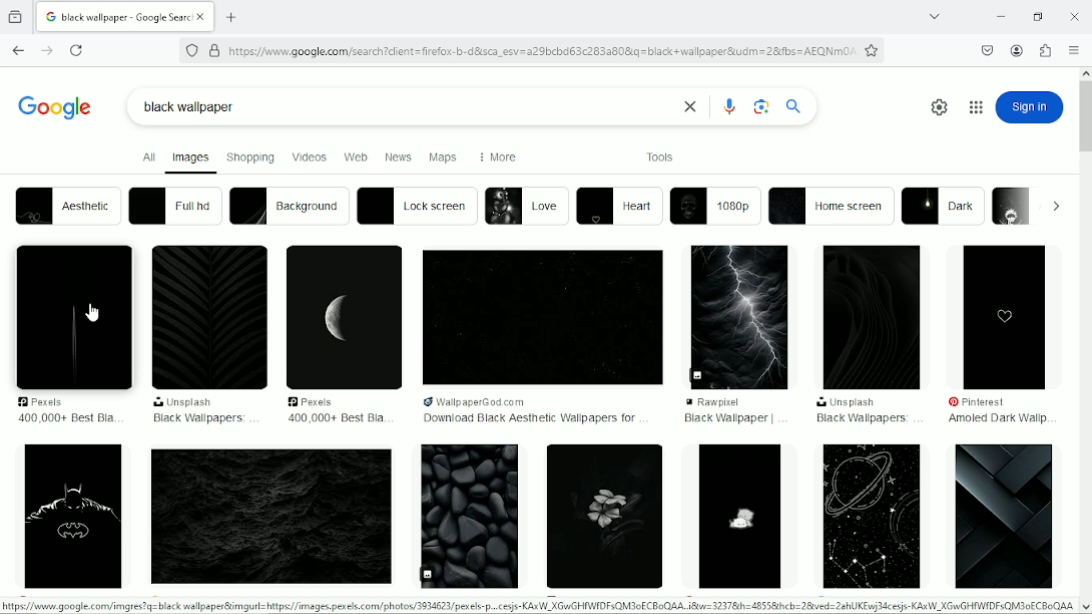 This screenshot has width=1092, height=614. Describe the element at coordinates (1006, 315) in the screenshot. I see `black image` at that location.